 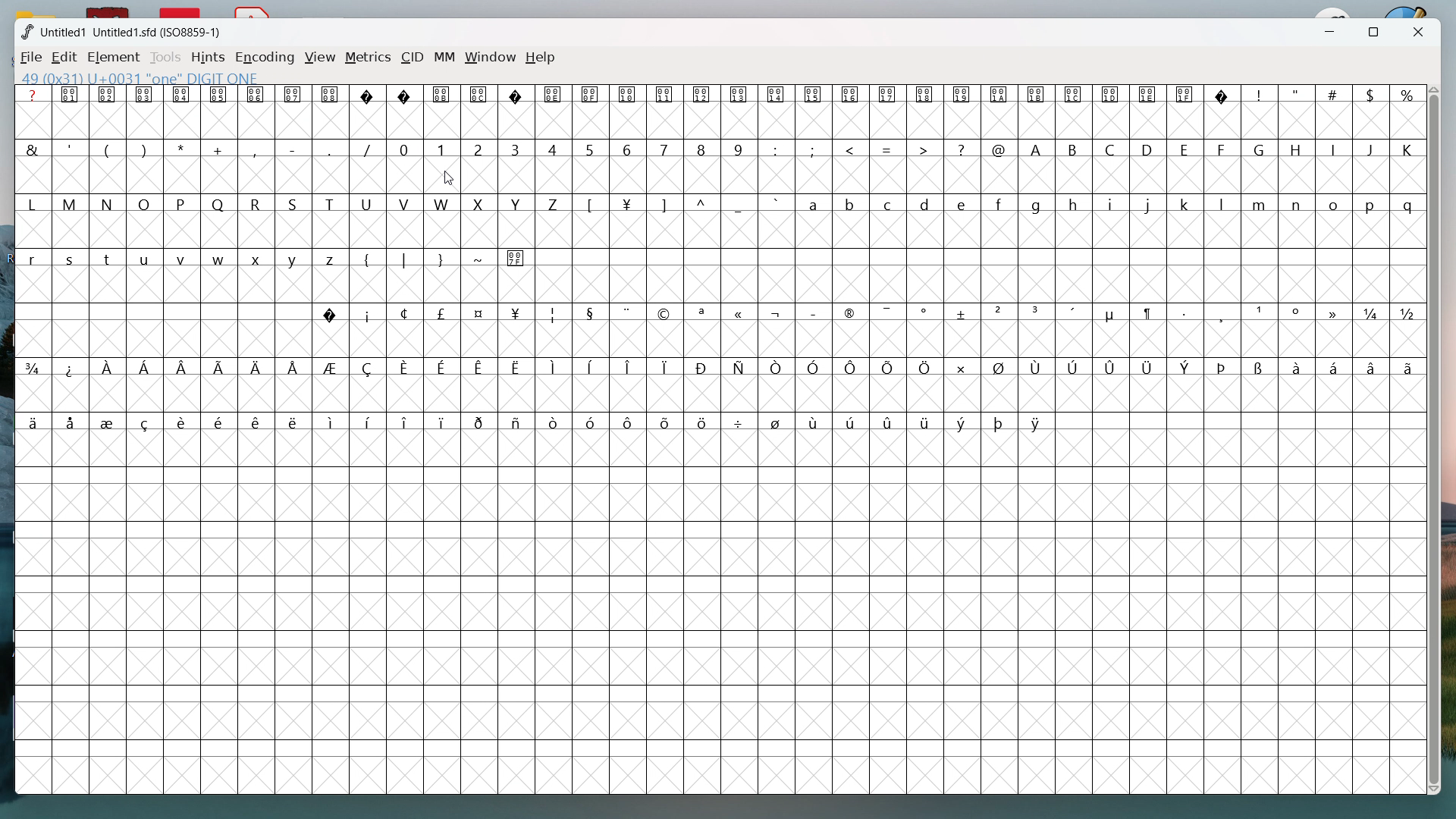 I want to click on 3, so click(x=517, y=149).